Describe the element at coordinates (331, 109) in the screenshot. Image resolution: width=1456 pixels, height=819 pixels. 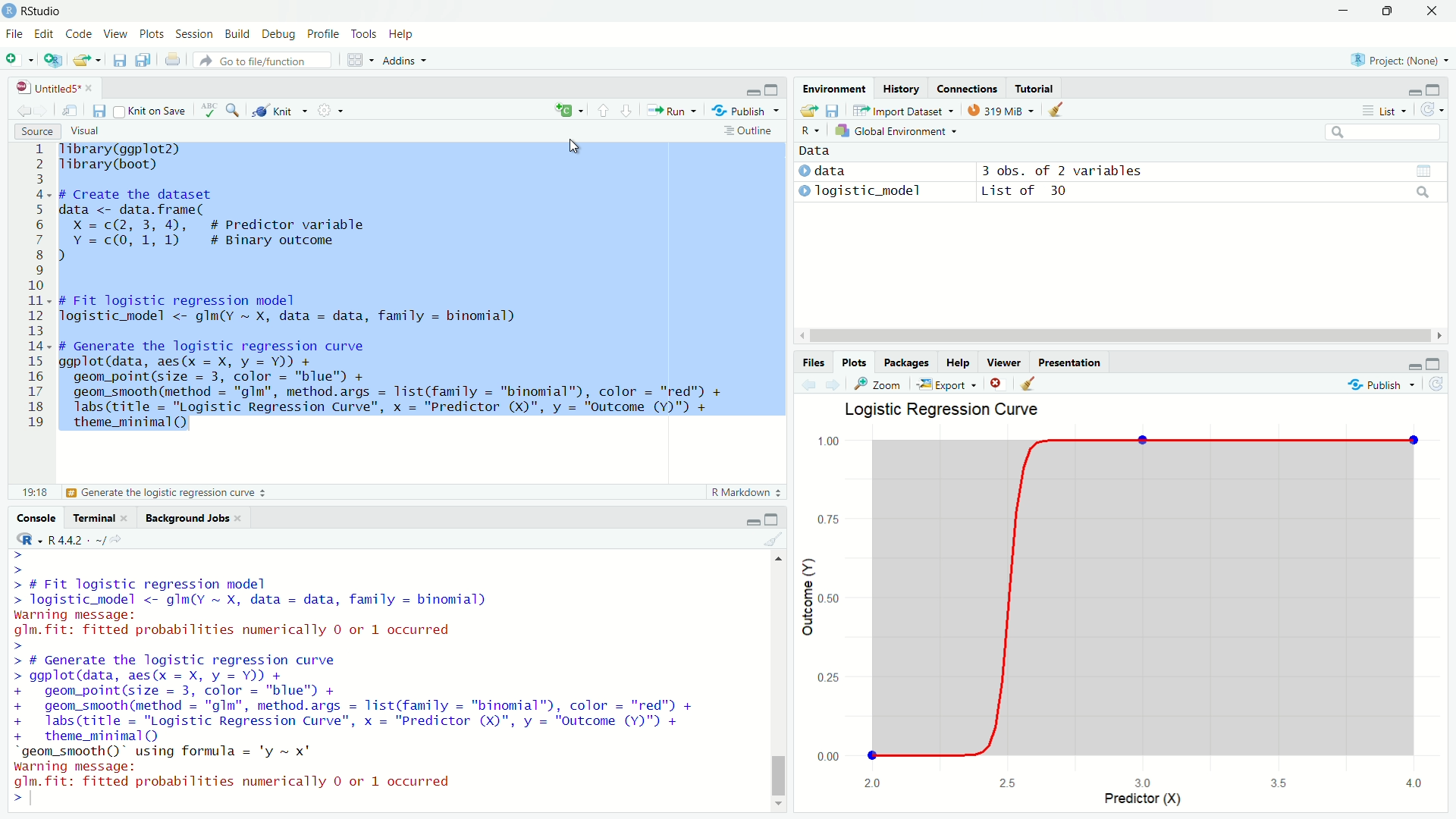
I see `More options` at that location.